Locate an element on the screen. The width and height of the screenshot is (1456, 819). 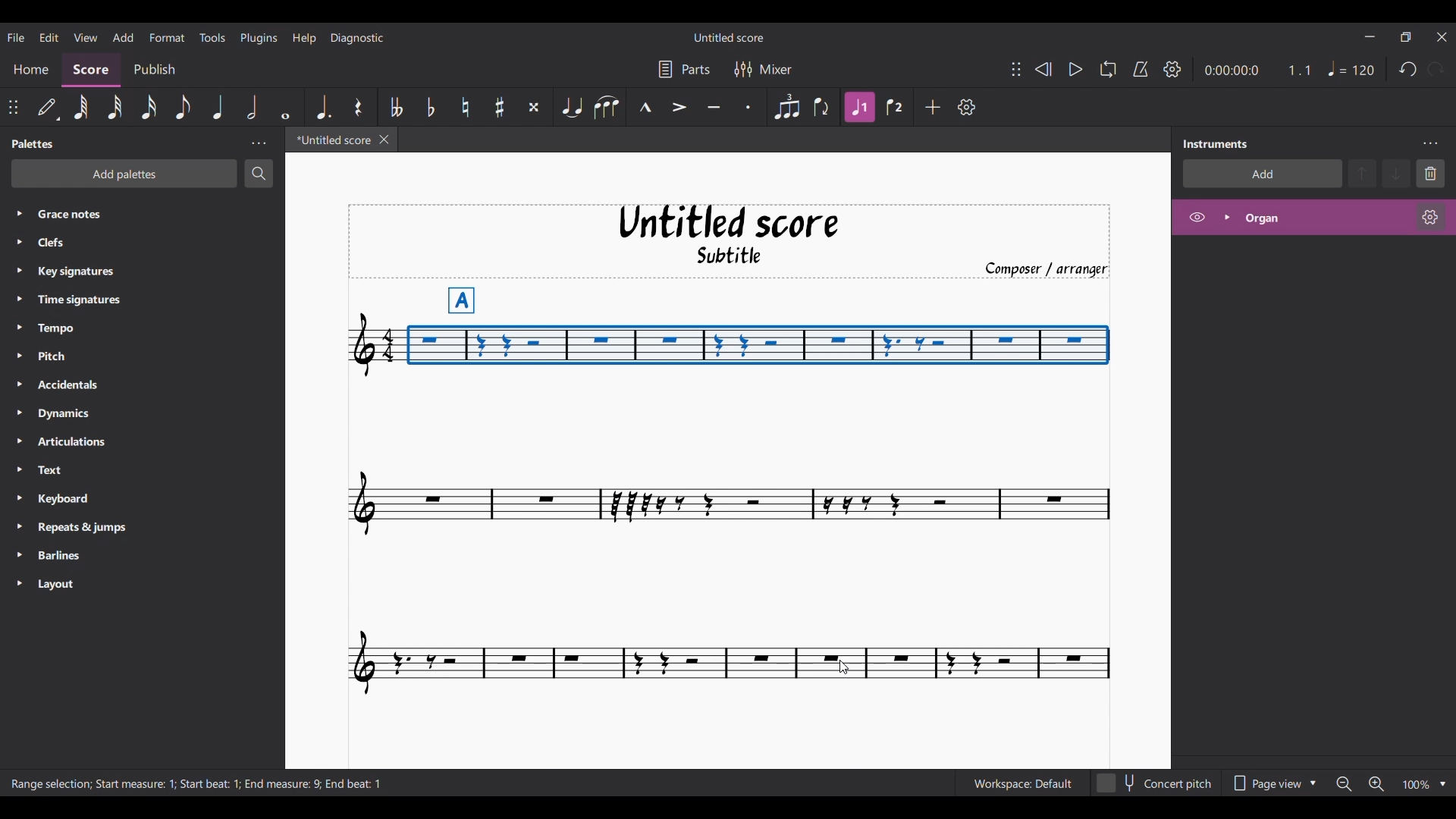
Ratio and duration of current note in score is located at coordinates (1257, 70).